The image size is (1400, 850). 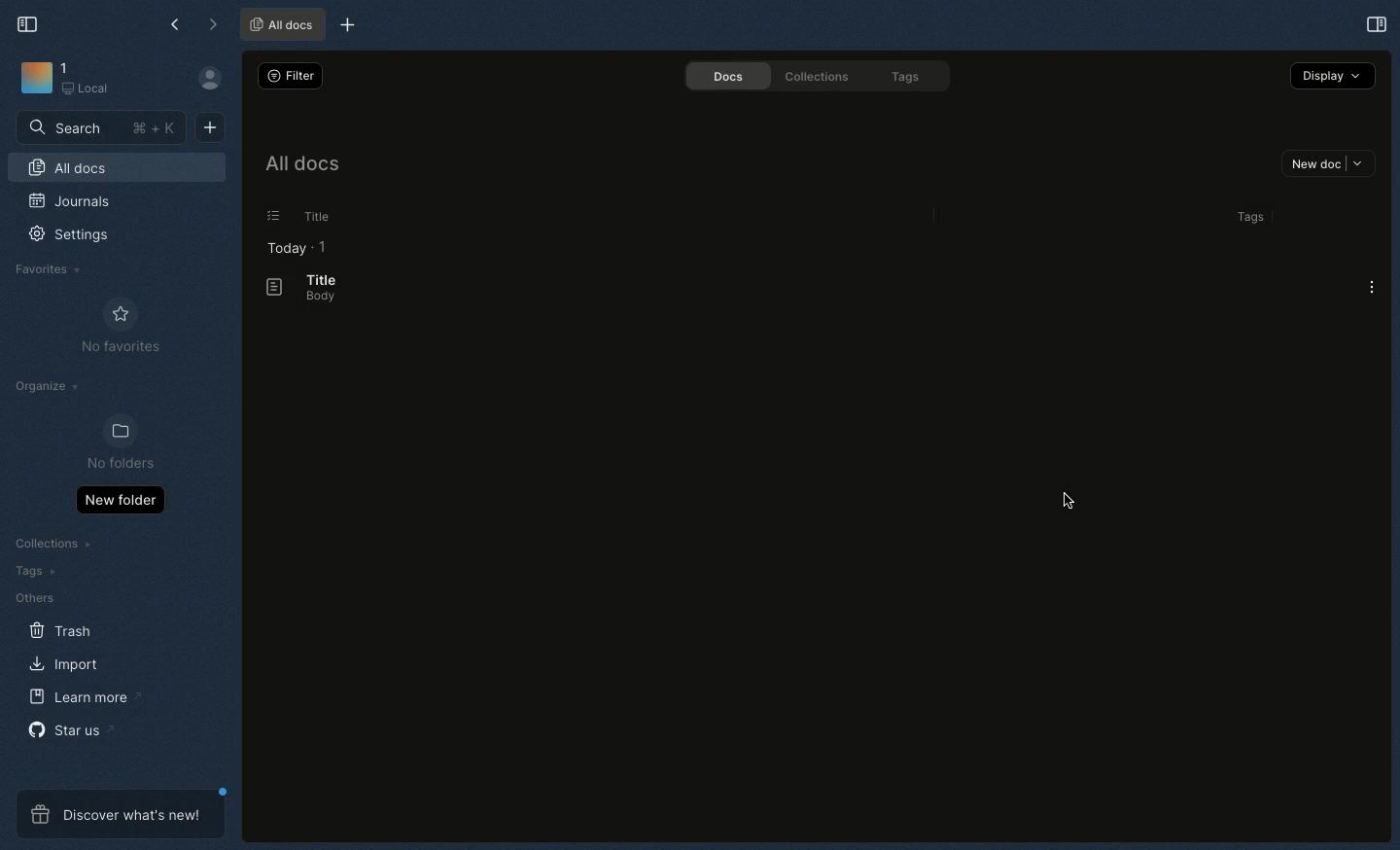 I want to click on Display, so click(x=1333, y=75).